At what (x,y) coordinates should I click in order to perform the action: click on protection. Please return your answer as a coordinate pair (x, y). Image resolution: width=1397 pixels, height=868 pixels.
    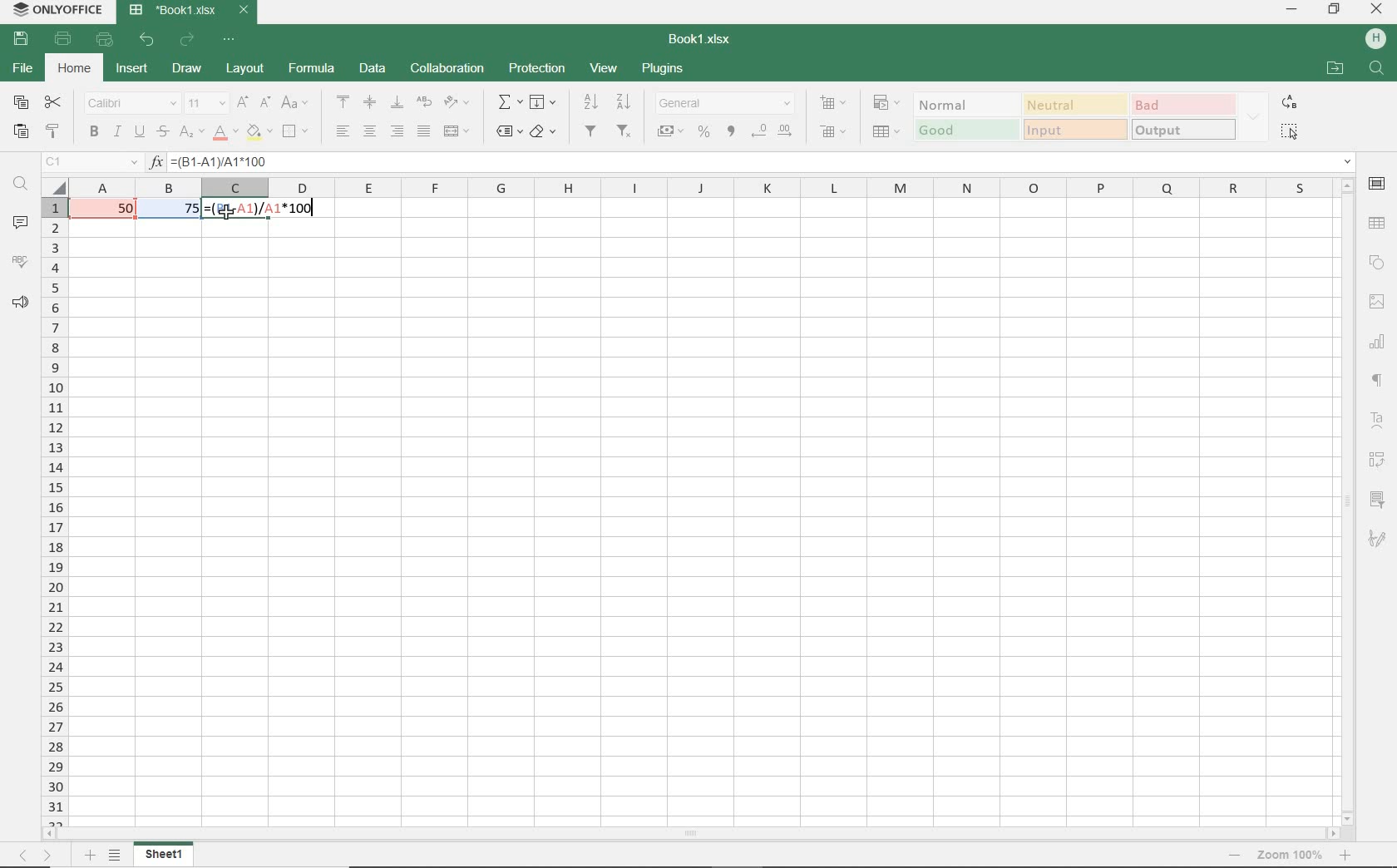
    Looking at the image, I should click on (537, 70).